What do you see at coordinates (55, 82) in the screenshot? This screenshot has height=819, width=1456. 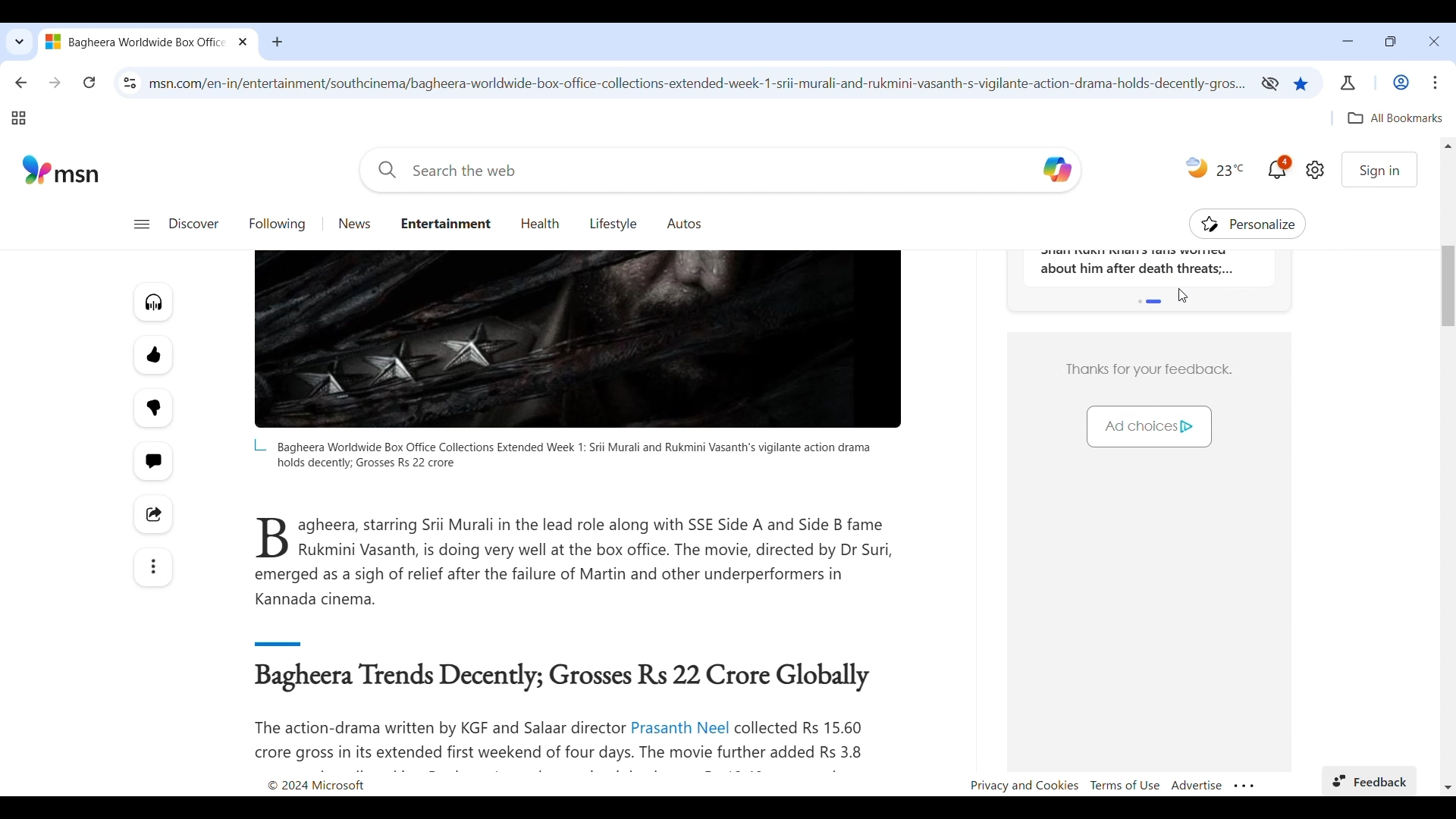 I see `Go forward` at bounding box center [55, 82].